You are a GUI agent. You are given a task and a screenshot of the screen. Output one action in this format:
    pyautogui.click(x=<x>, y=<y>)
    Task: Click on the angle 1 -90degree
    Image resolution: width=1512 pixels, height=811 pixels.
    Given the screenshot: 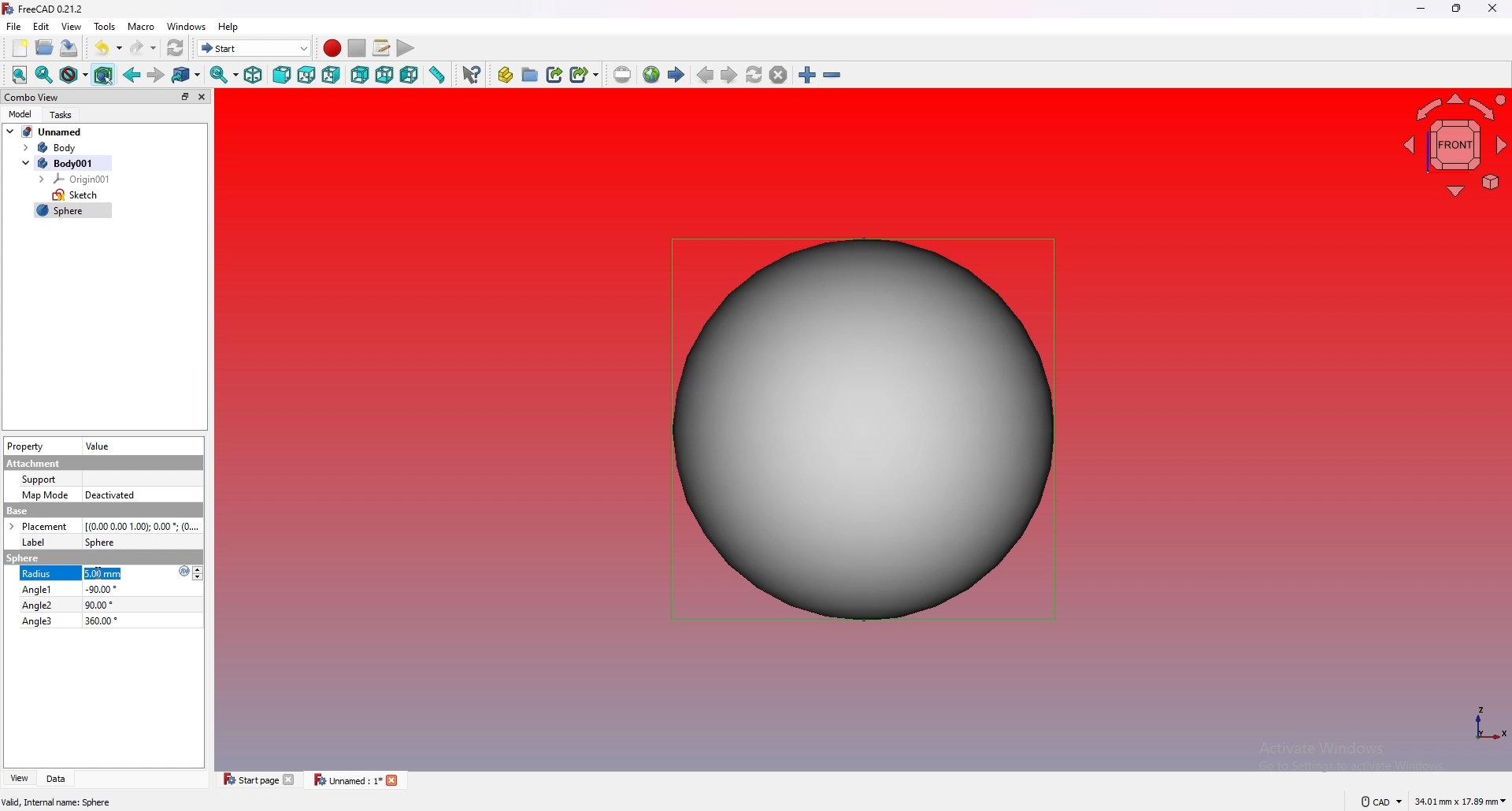 What is the action you would take?
    pyautogui.click(x=75, y=589)
    